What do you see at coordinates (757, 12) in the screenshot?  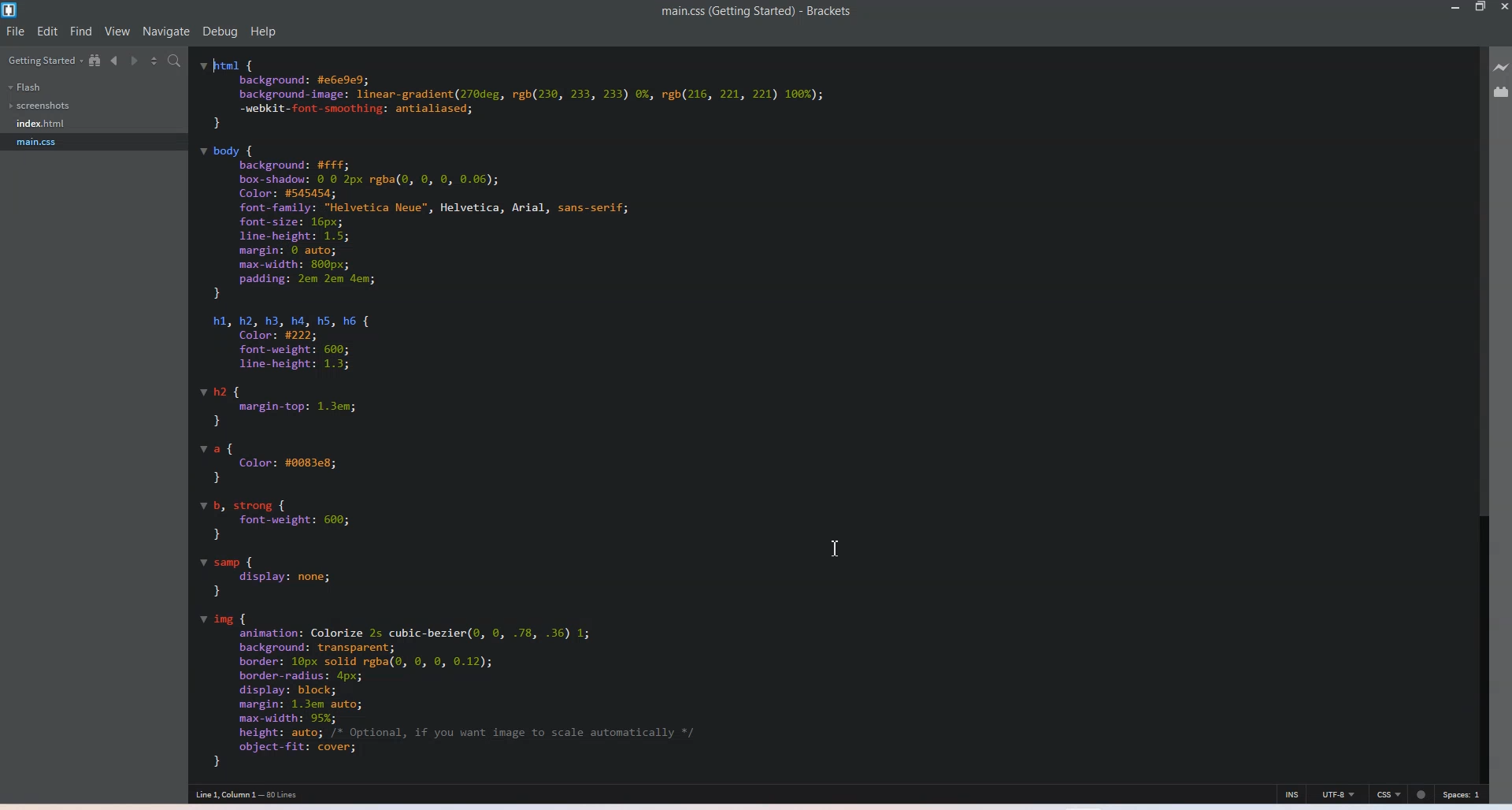 I see `Text 1` at bounding box center [757, 12].